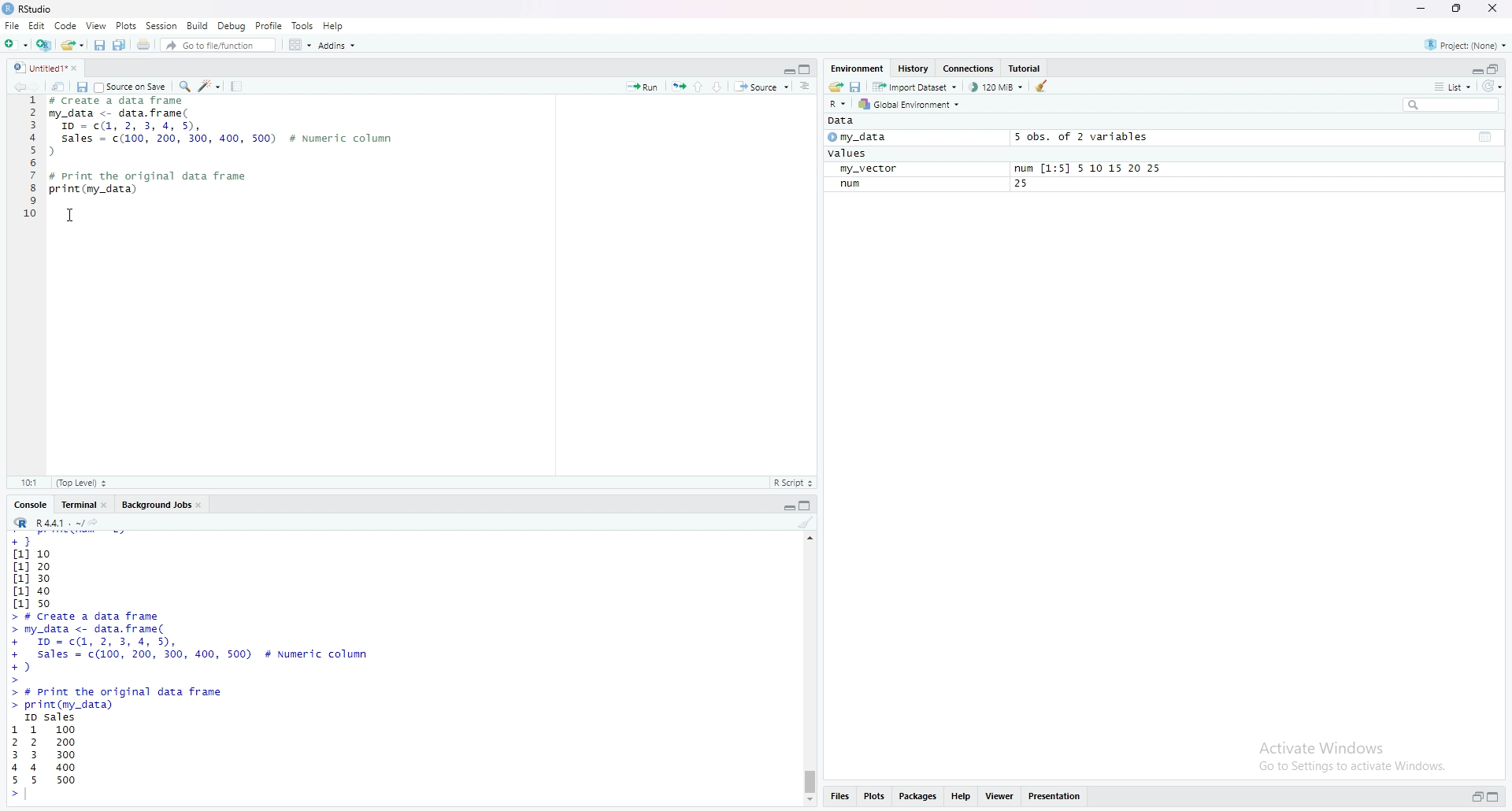  I want to click on search field, so click(1449, 106).